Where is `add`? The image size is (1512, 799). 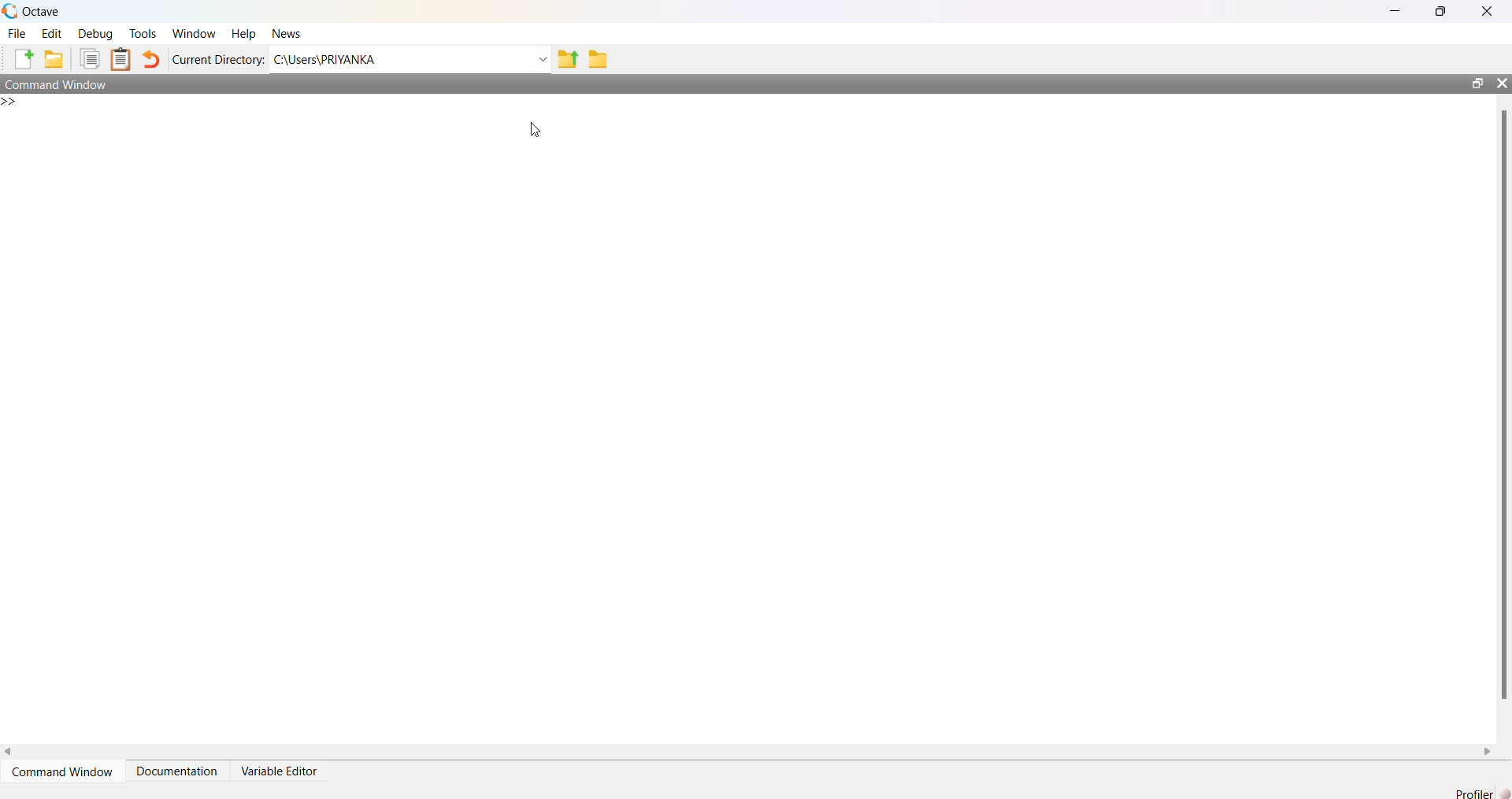 add is located at coordinates (24, 59).